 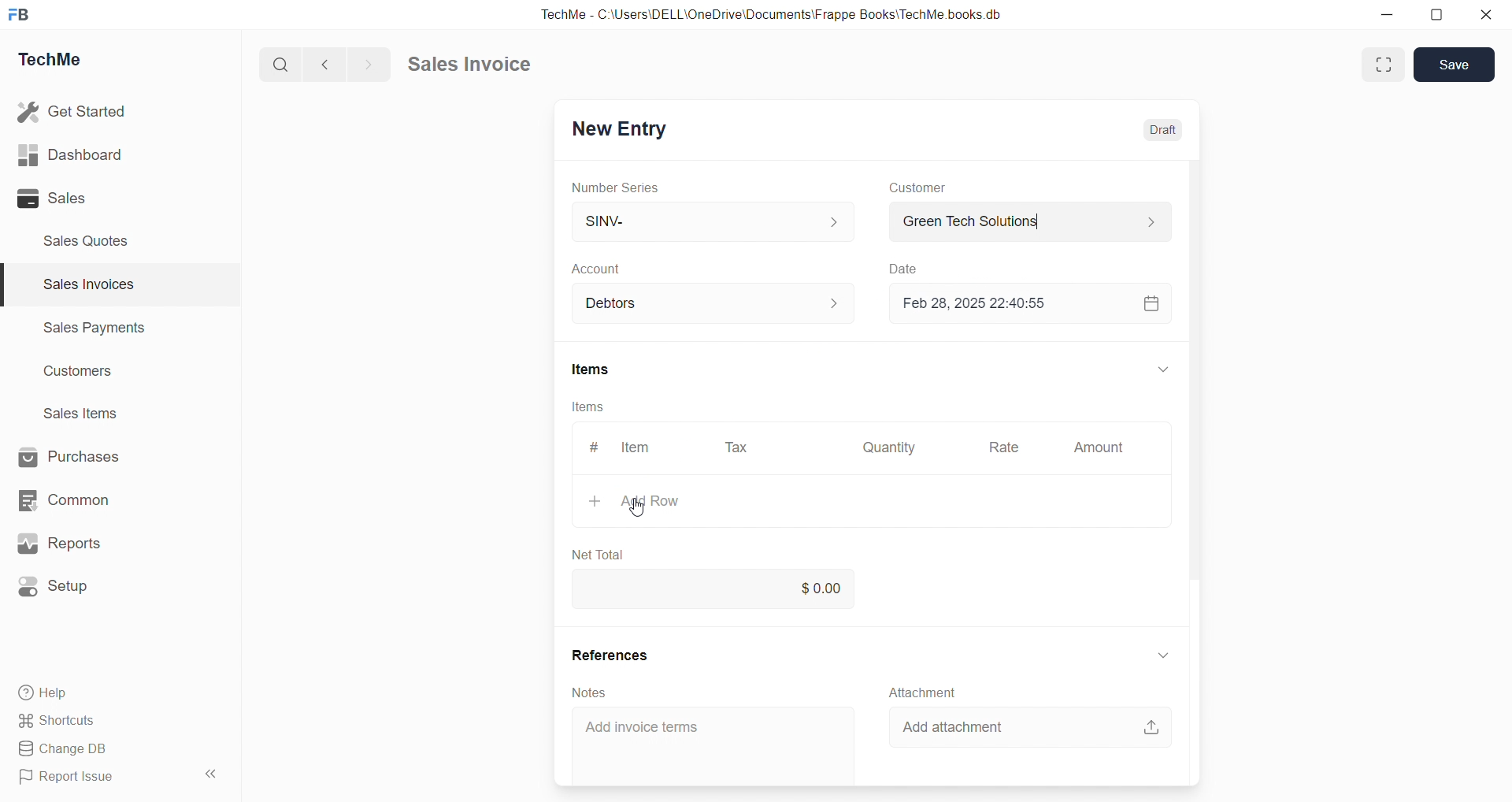 I want to click on Dashboard, so click(x=70, y=154).